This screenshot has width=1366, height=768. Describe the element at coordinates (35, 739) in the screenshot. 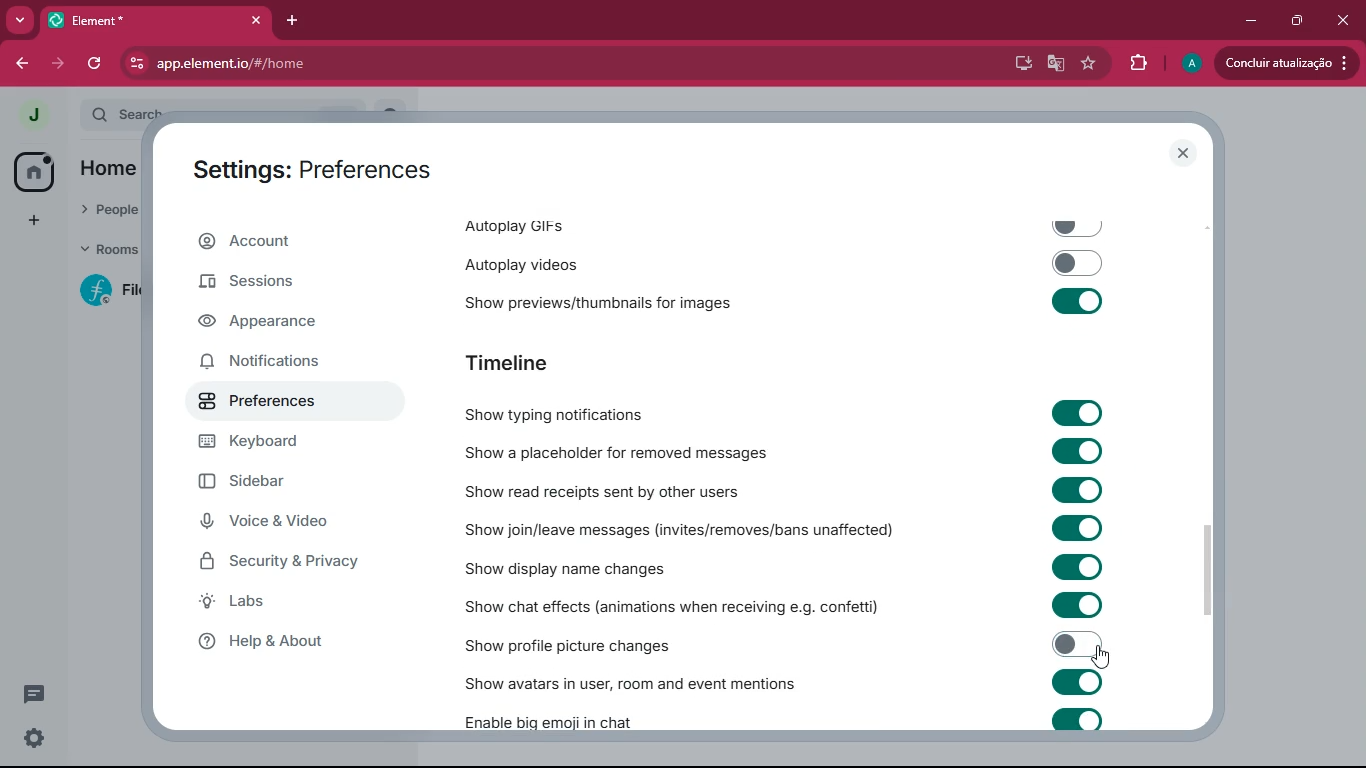

I see `quick settings` at that location.